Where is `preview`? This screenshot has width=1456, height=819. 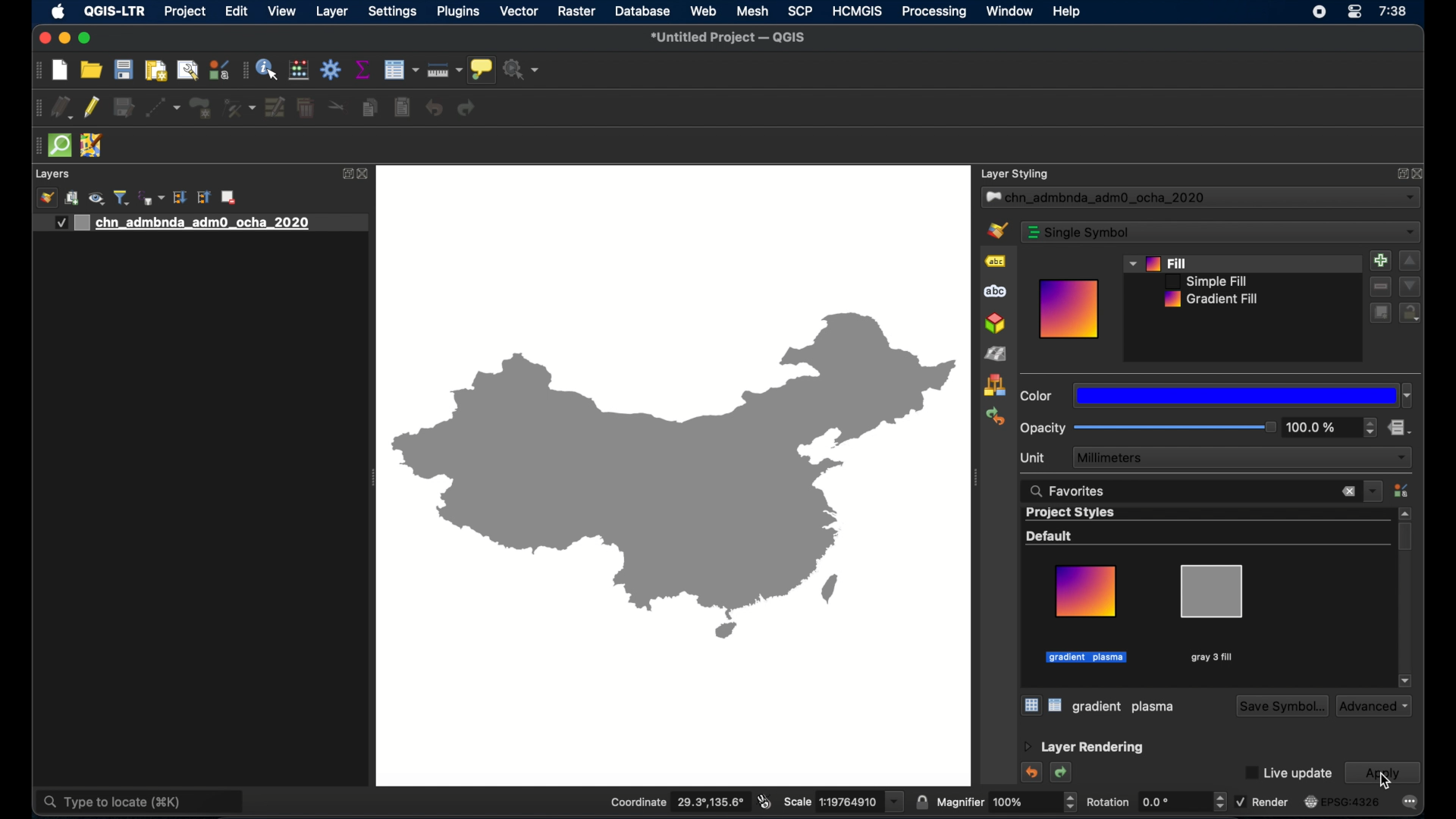 preview is located at coordinates (1069, 309).